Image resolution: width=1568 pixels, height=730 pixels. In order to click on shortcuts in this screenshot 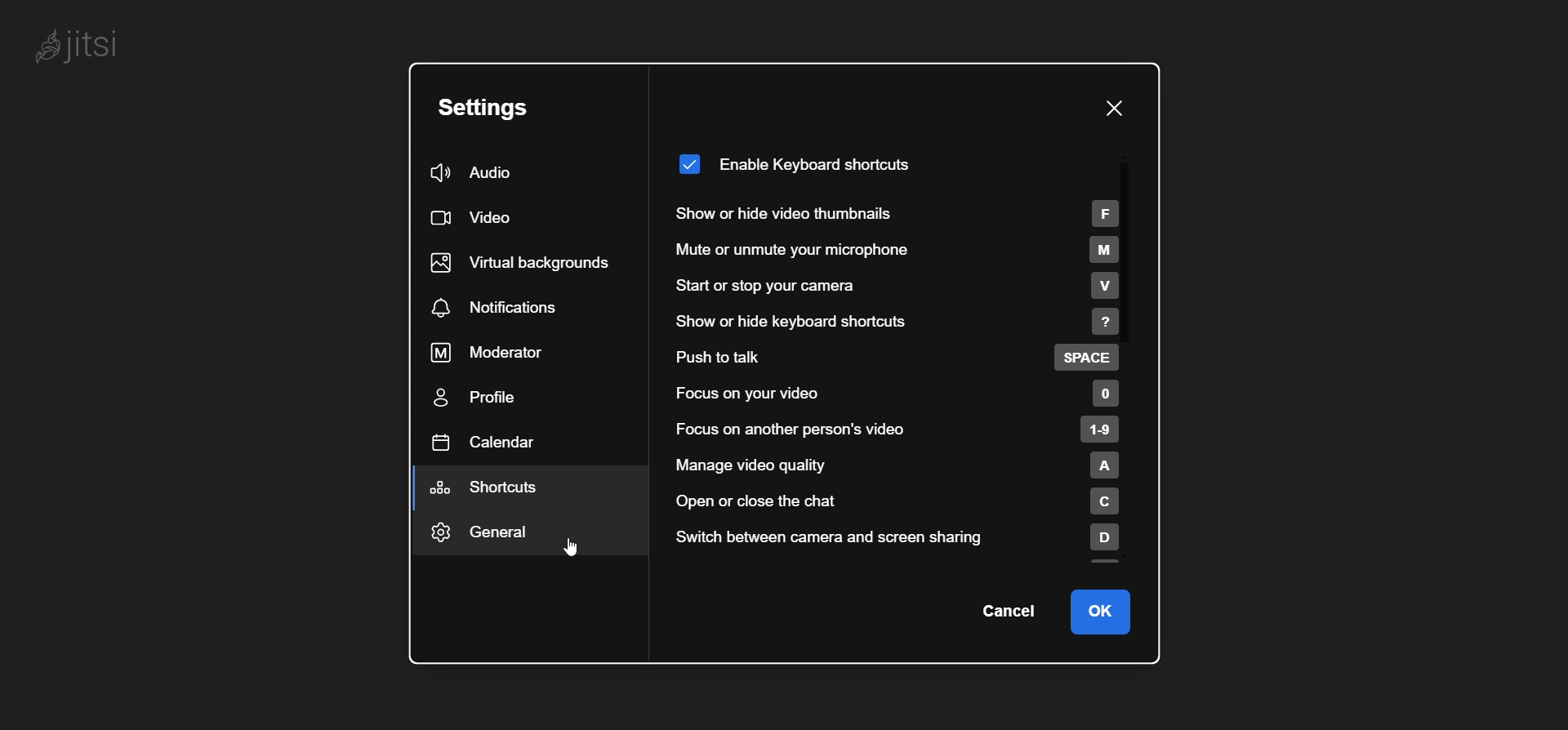, I will do `click(493, 488)`.